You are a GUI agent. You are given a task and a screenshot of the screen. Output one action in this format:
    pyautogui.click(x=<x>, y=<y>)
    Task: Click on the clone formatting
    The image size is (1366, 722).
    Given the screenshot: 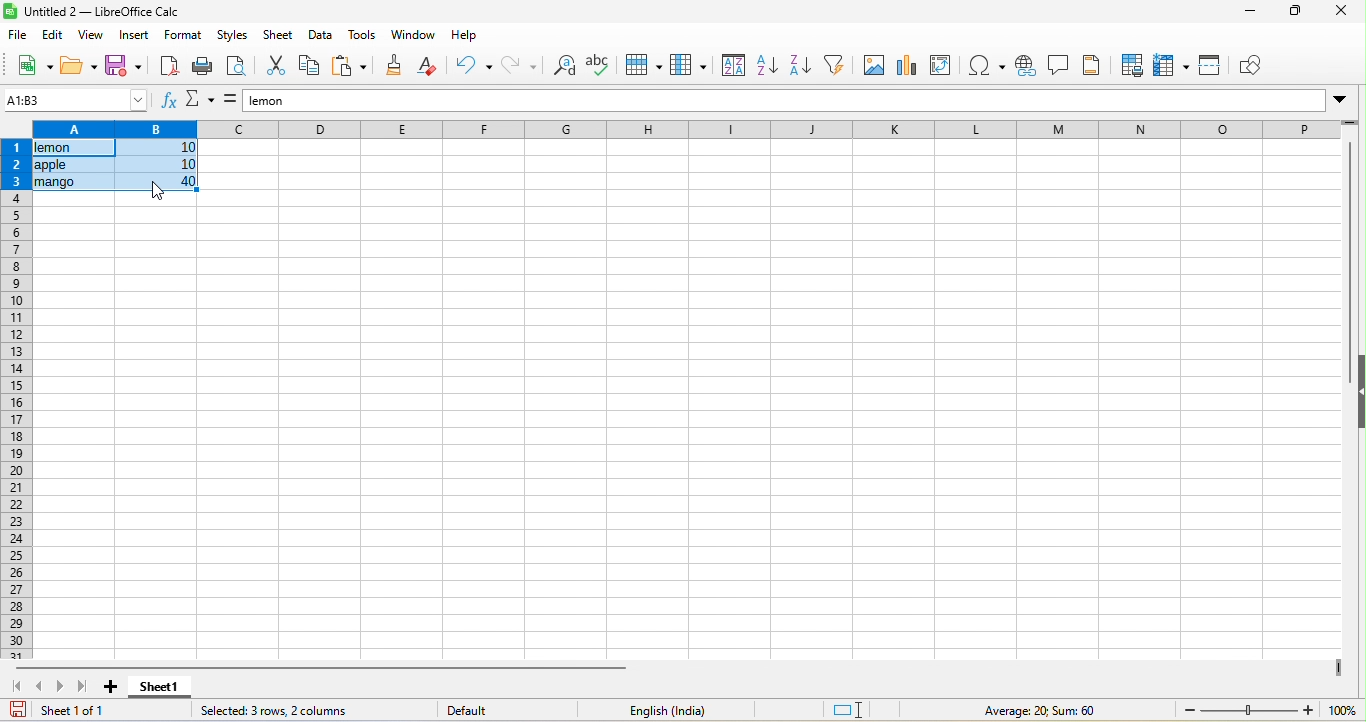 What is the action you would take?
    pyautogui.click(x=392, y=67)
    